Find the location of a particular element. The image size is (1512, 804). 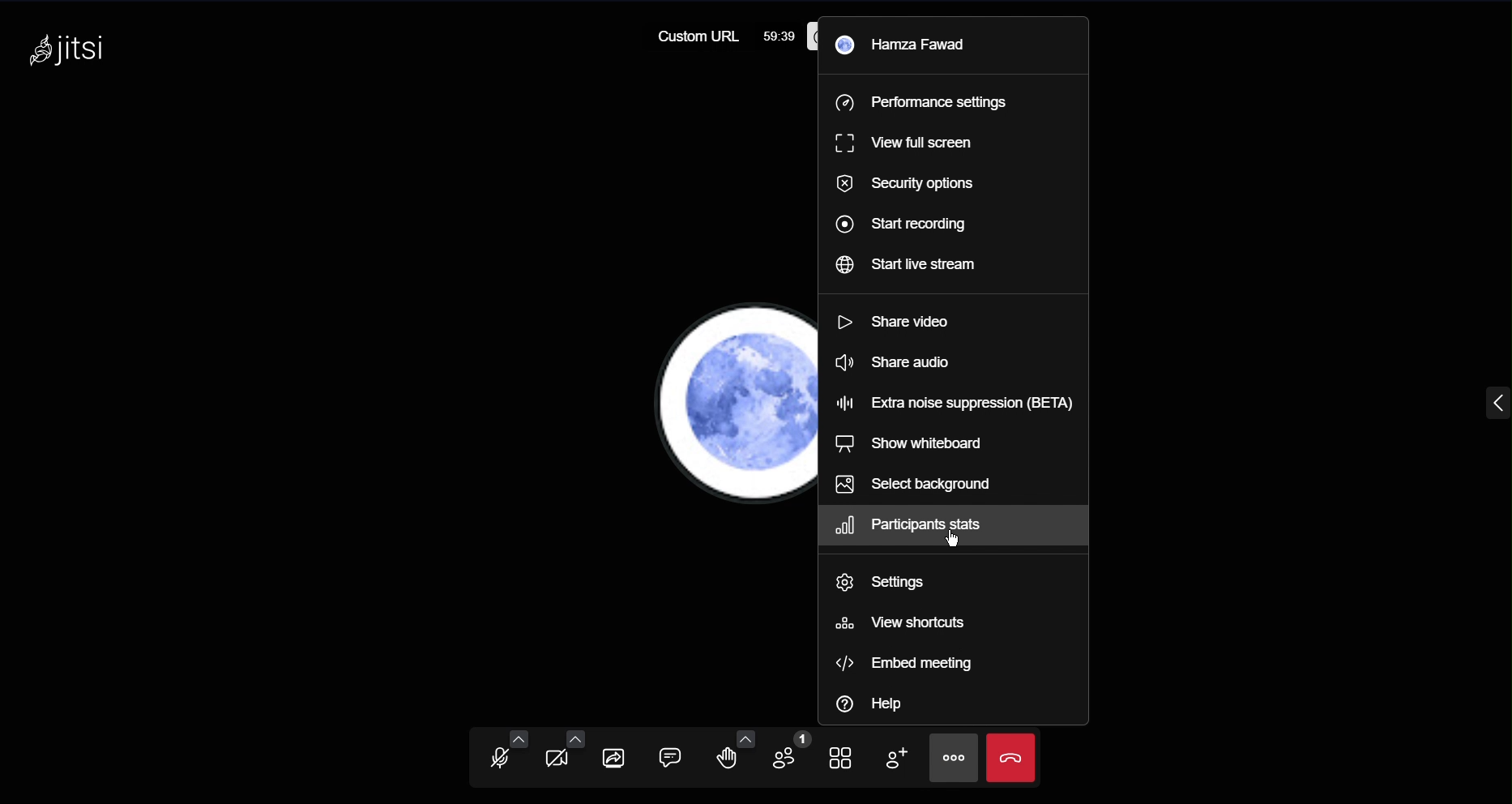

Raise Hand is located at coordinates (734, 755).